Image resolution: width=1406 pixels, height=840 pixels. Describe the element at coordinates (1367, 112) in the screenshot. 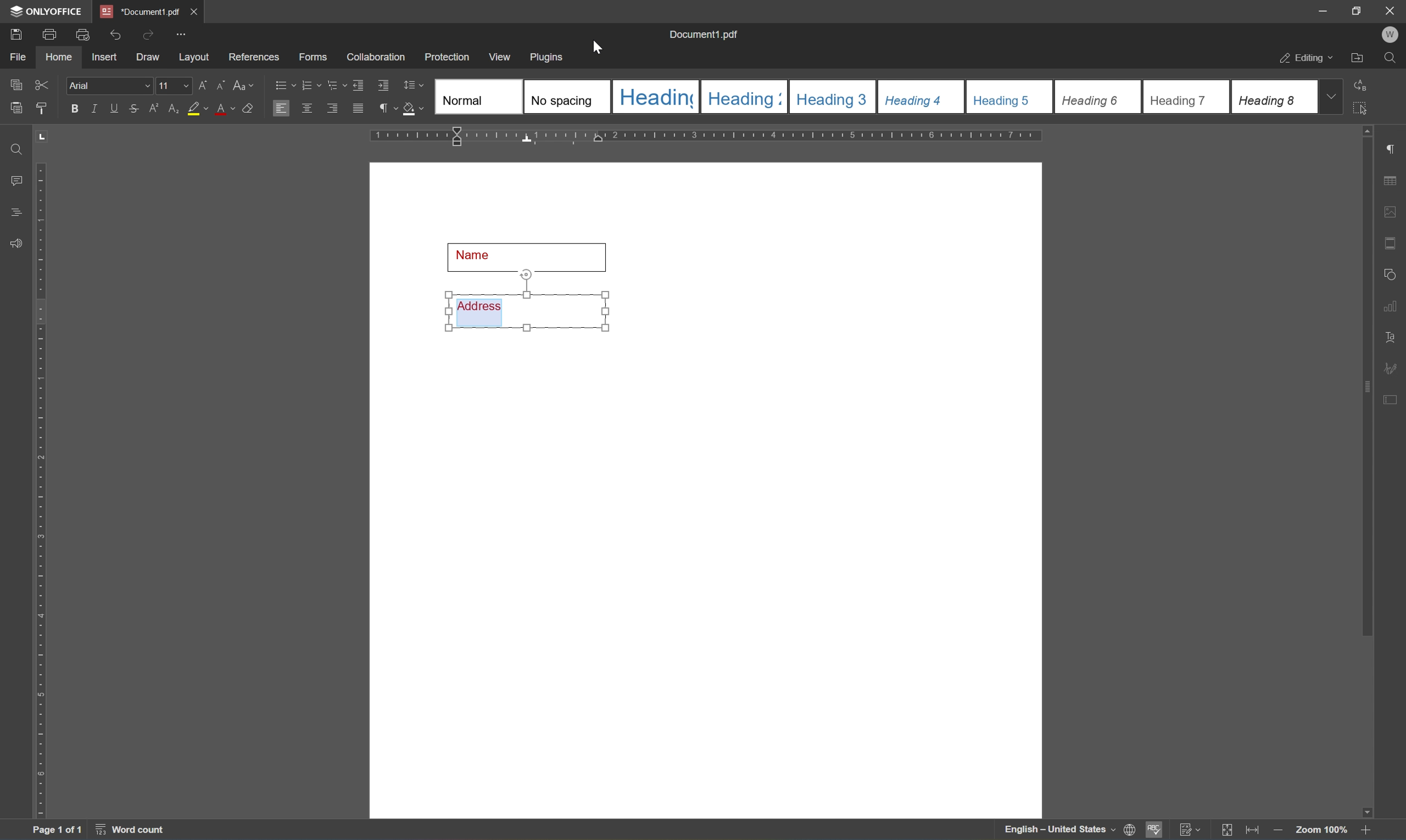

I see `select all` at that location.